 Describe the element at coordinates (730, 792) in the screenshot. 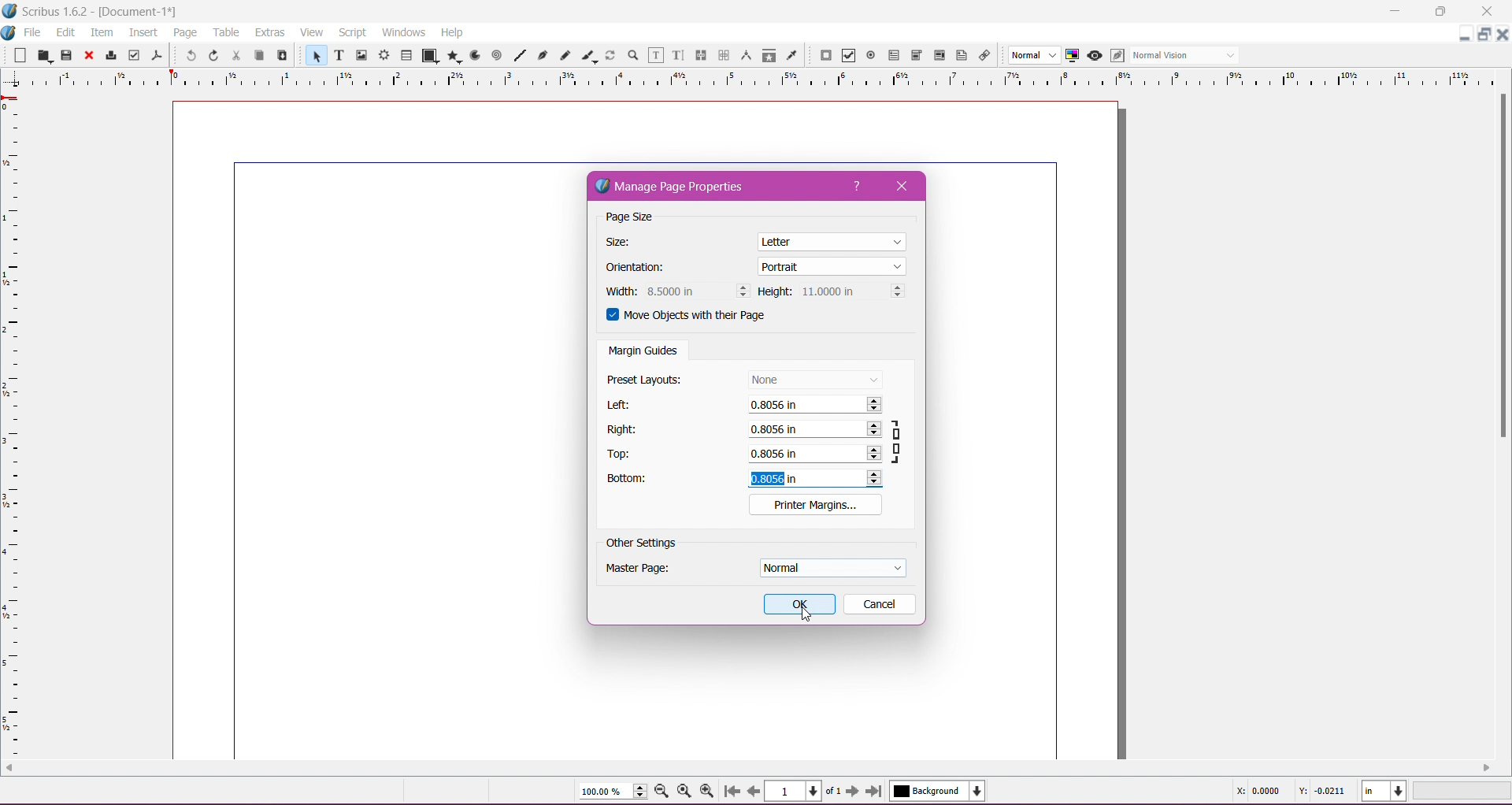

I see `Go to first page` at that location.